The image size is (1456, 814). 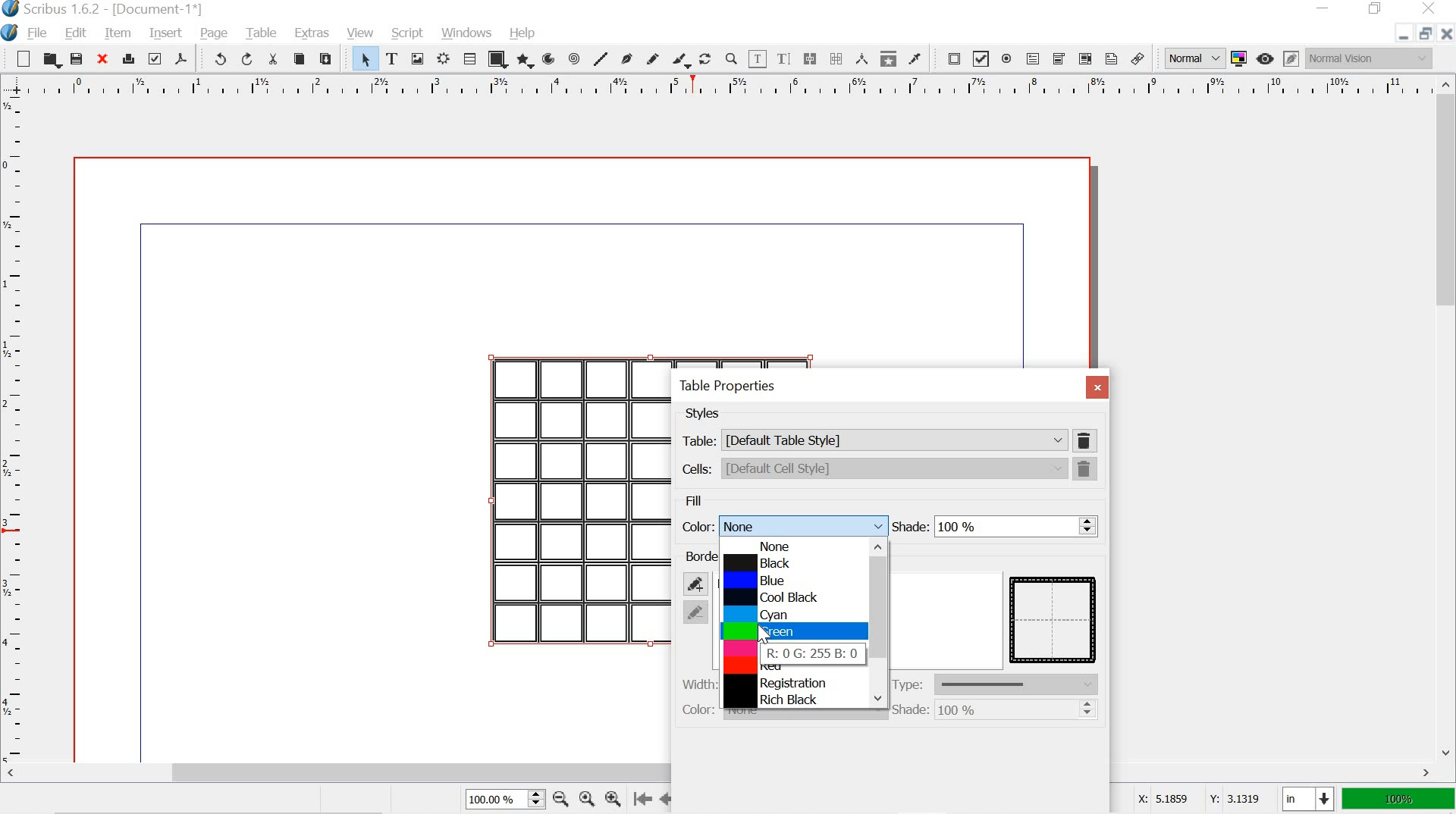 I want to click on restore down, so click(x=1423, y=32).